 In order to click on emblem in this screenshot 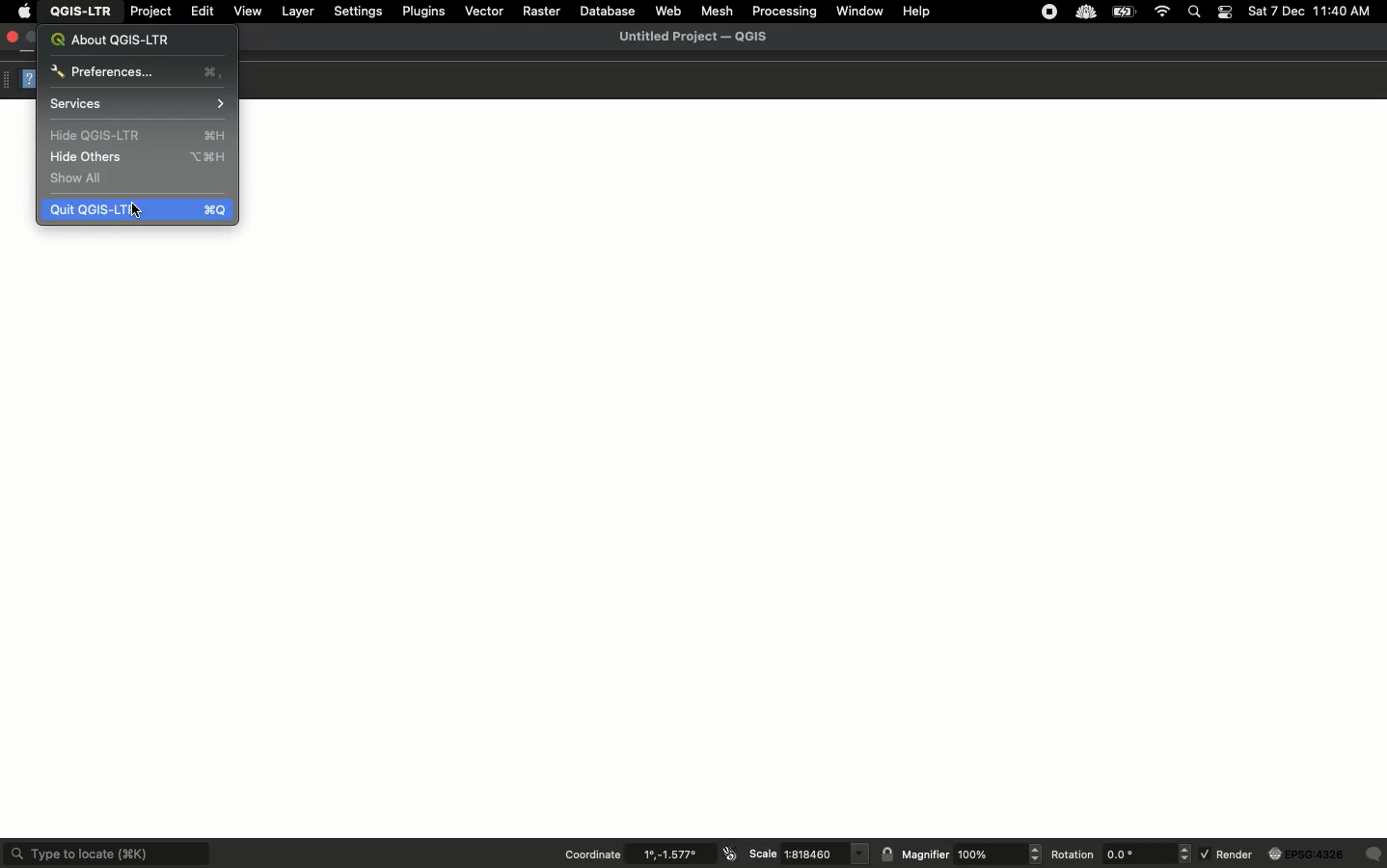, I will do `click(730, 852)`.